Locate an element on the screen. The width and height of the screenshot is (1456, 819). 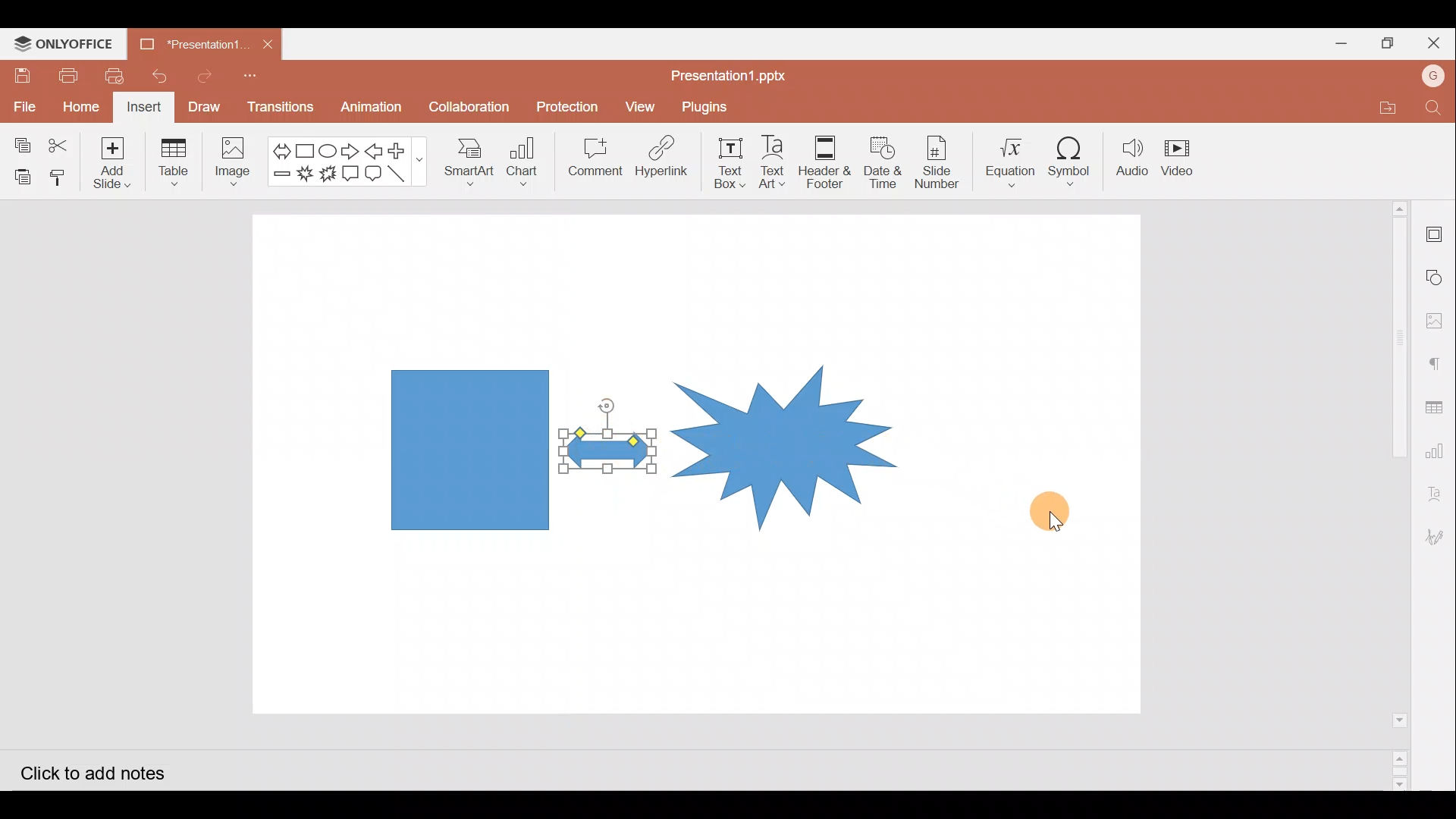
Table settings is located at coordinates (1436, 403).